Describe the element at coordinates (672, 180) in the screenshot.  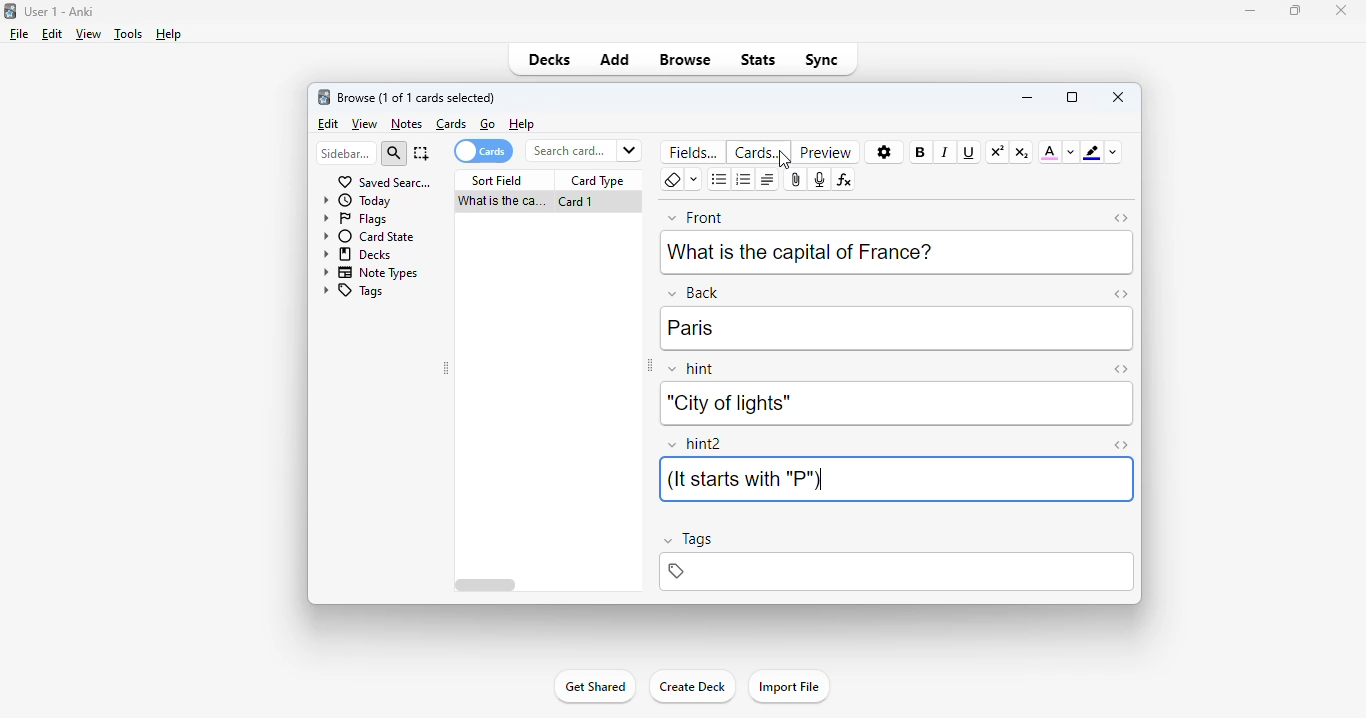
I see `remove formatting` at that location.